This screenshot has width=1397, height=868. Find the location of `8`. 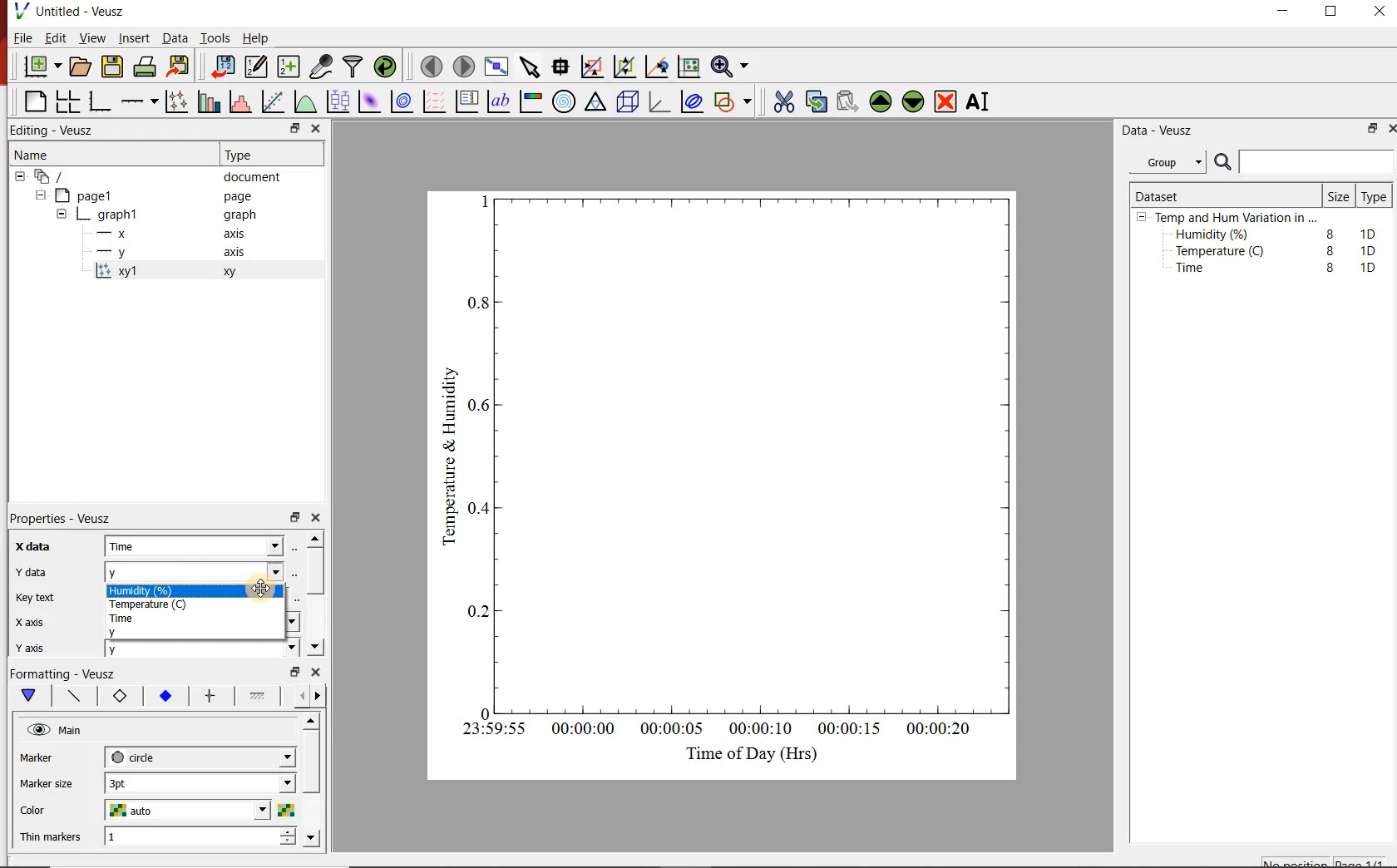

8 is located at coordinates (1330, 268).